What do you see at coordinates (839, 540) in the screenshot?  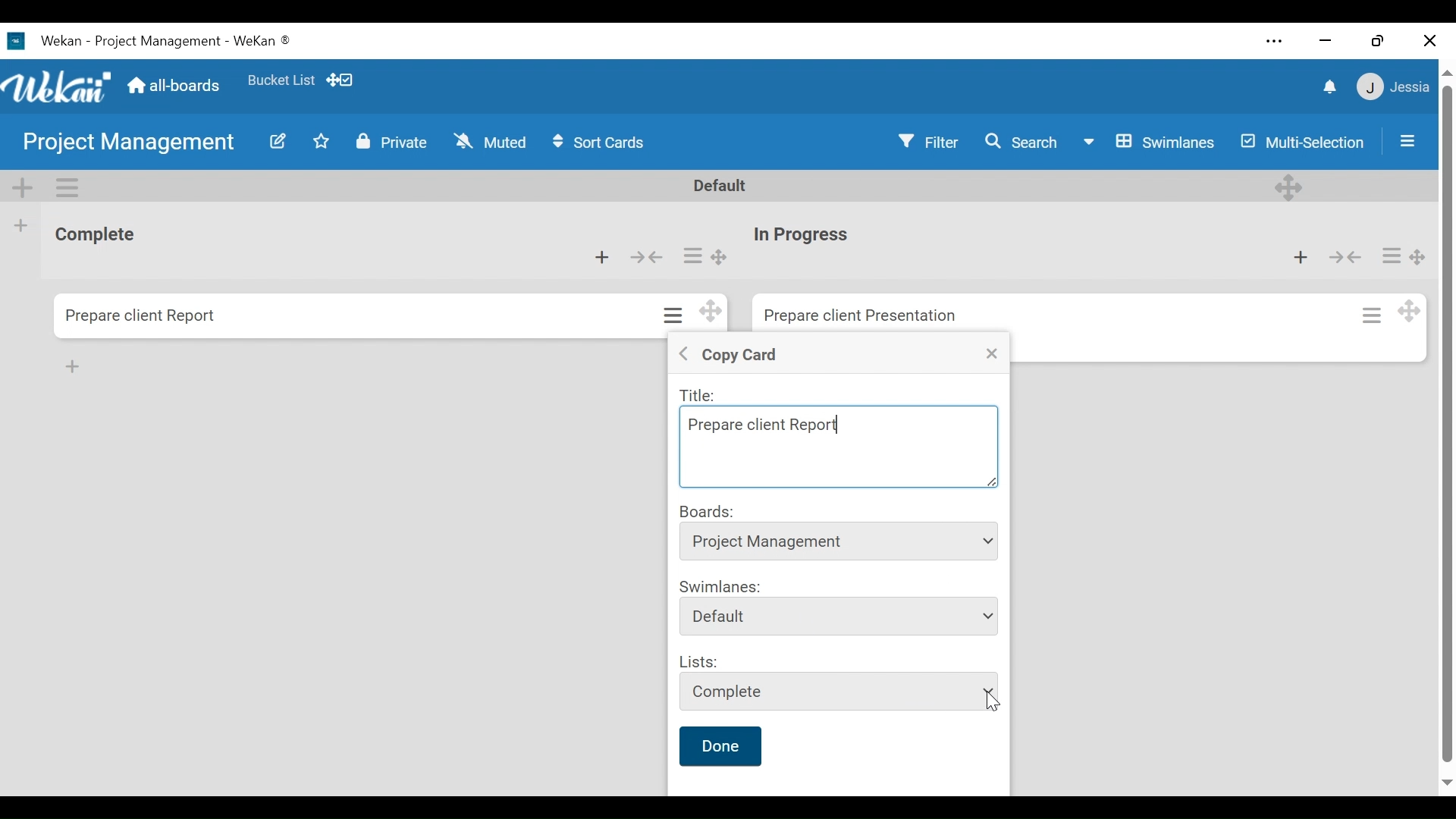 I see `Board dropdown menu` at bounding box center [839, 540].